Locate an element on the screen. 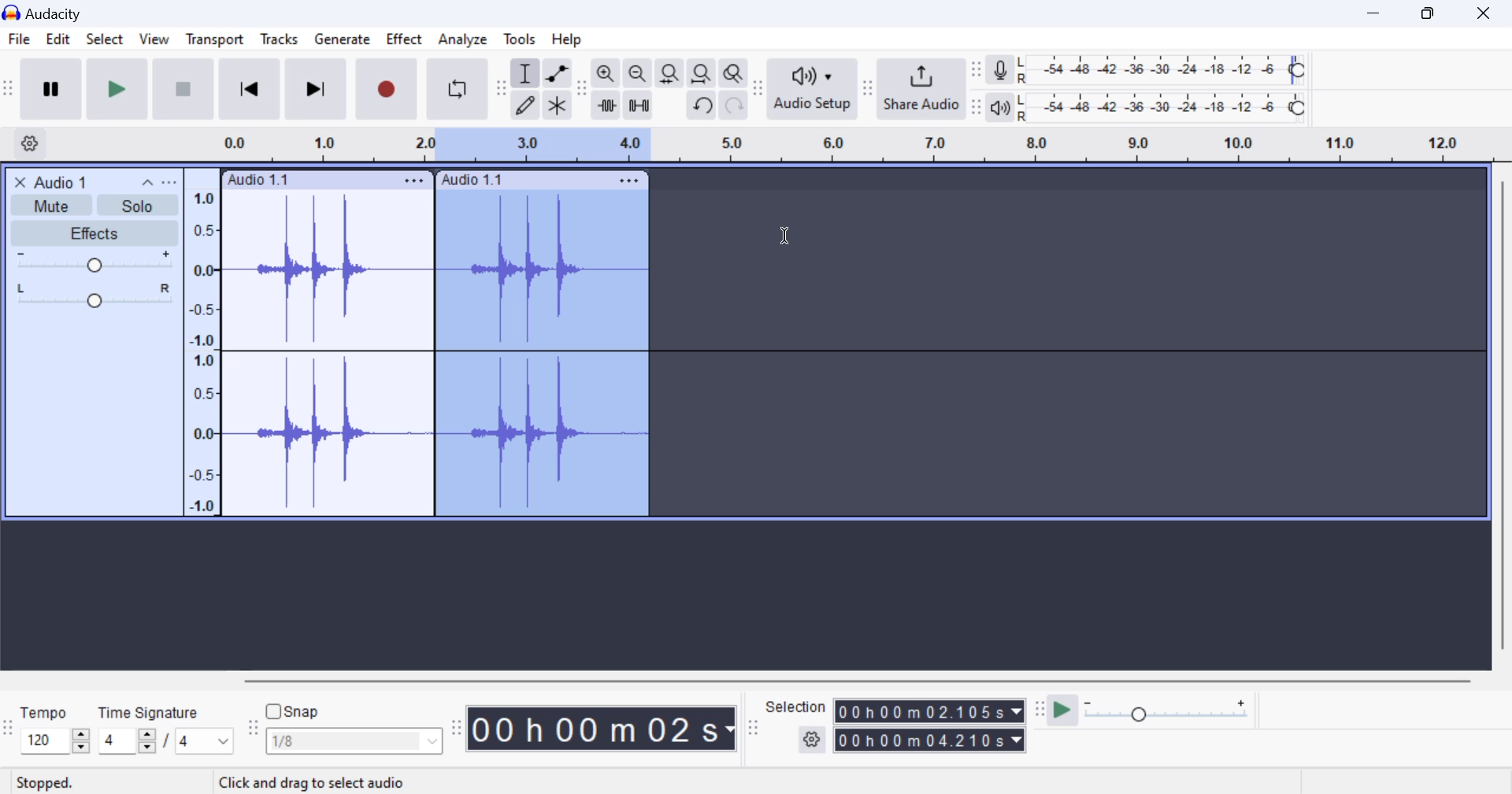  Record is located at coordinates (384, 90).